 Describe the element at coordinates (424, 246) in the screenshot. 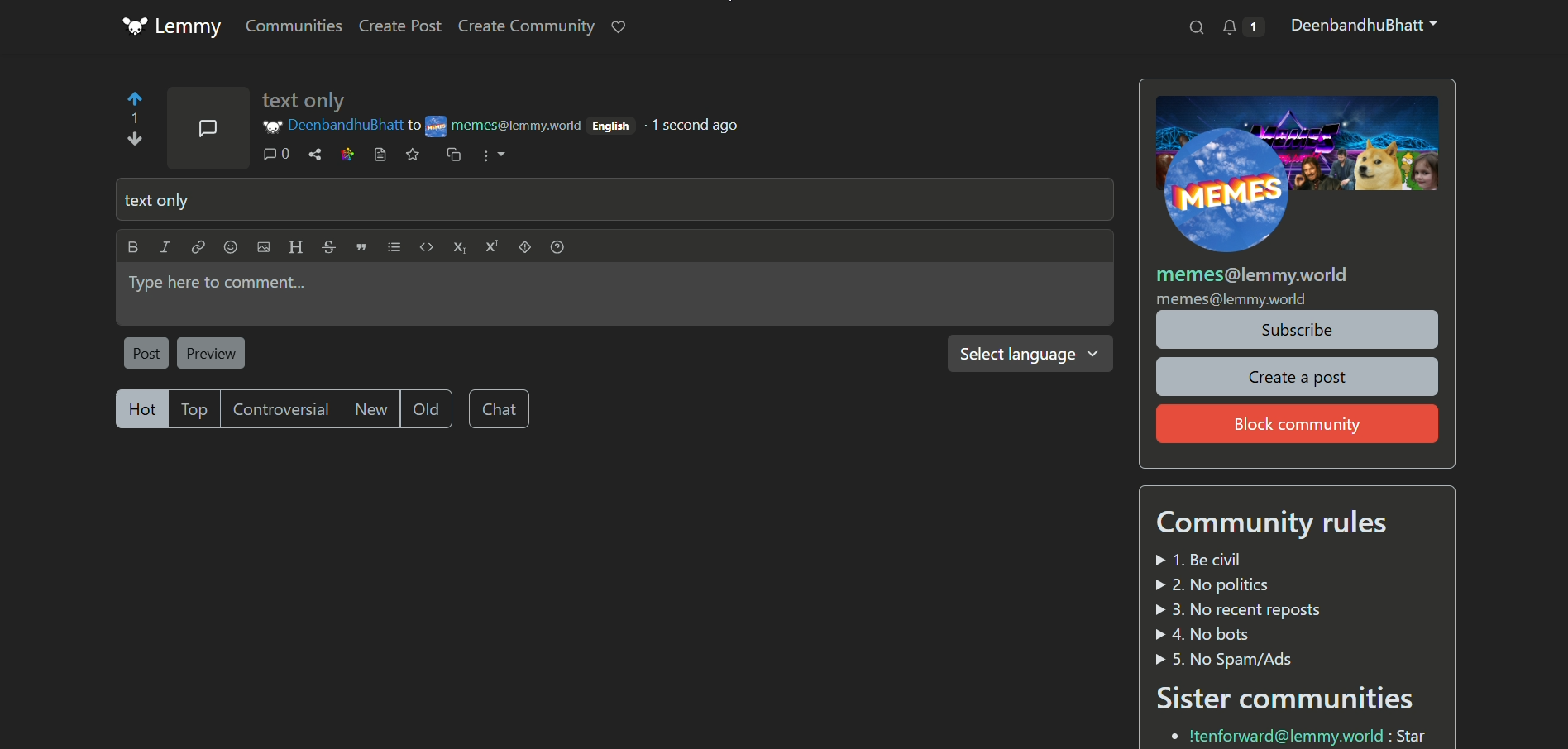

I see `code` at that location.